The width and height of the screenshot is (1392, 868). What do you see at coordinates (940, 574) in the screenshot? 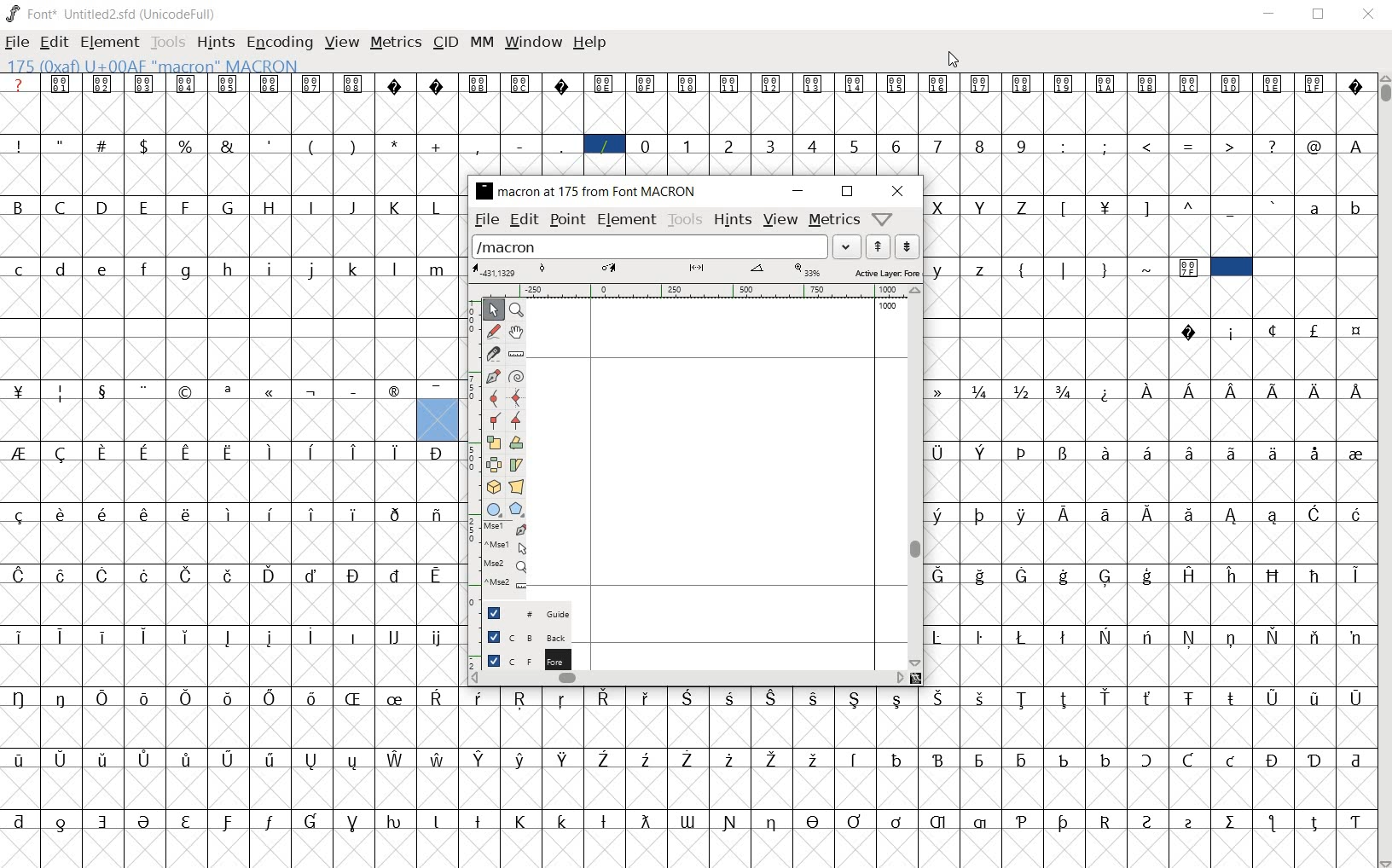
I see `Symbol` at bounding box center [940, 574].